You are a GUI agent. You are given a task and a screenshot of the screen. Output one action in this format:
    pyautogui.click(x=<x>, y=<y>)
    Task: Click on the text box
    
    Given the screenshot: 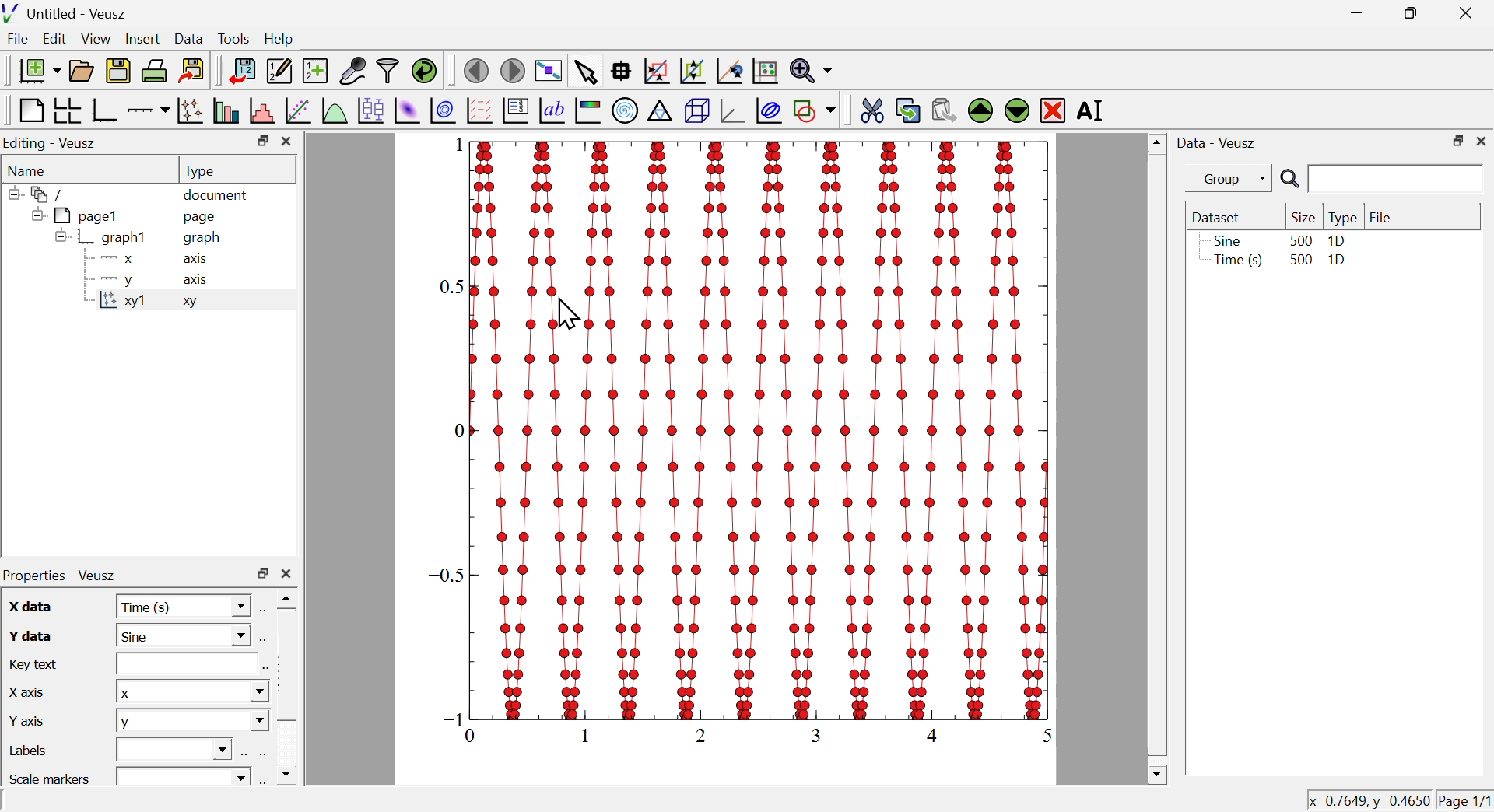 What is the action you would take?
    pyautogui.click(x=184, y=664)
    